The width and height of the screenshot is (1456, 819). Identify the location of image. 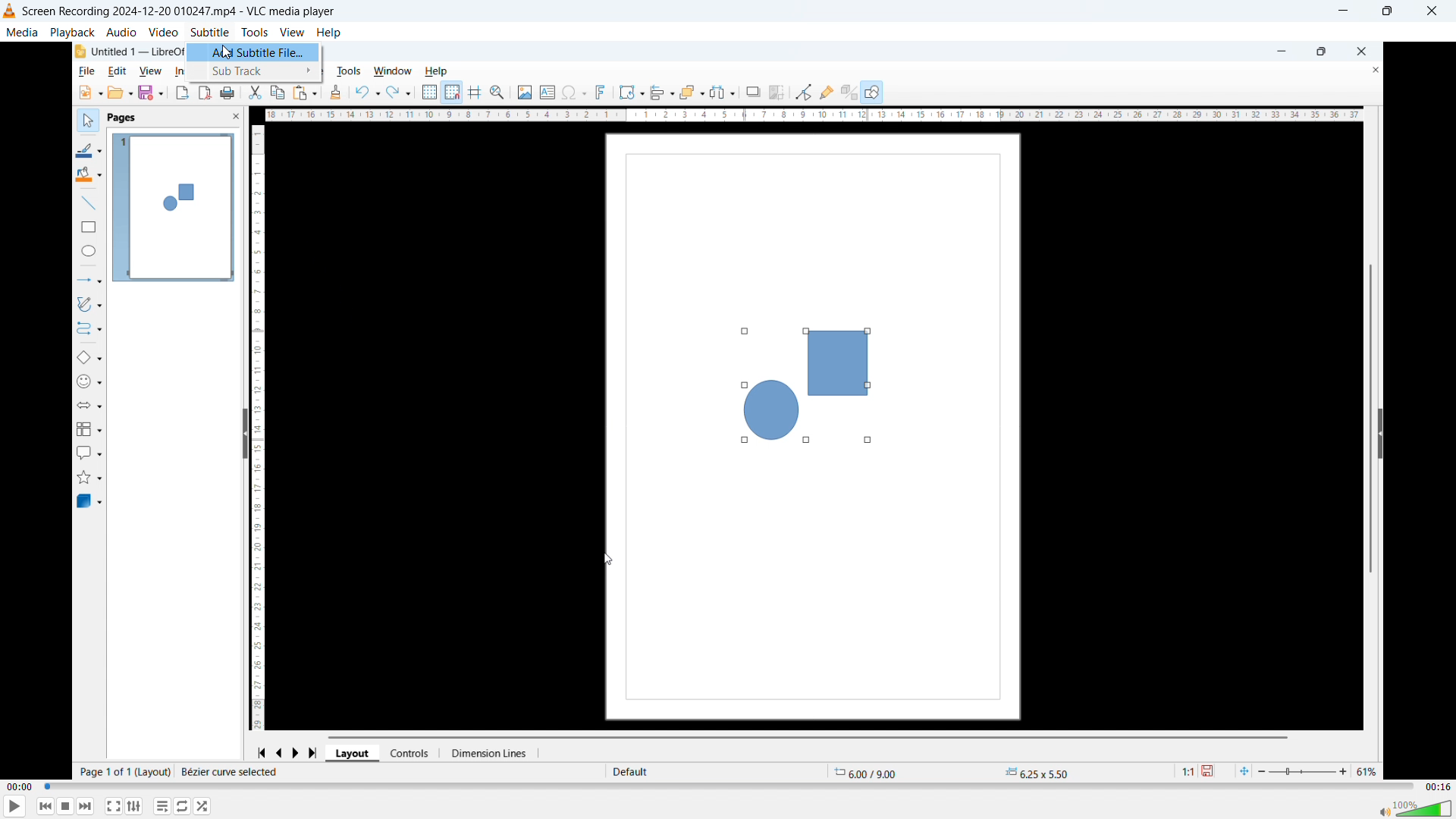
(523, 93).